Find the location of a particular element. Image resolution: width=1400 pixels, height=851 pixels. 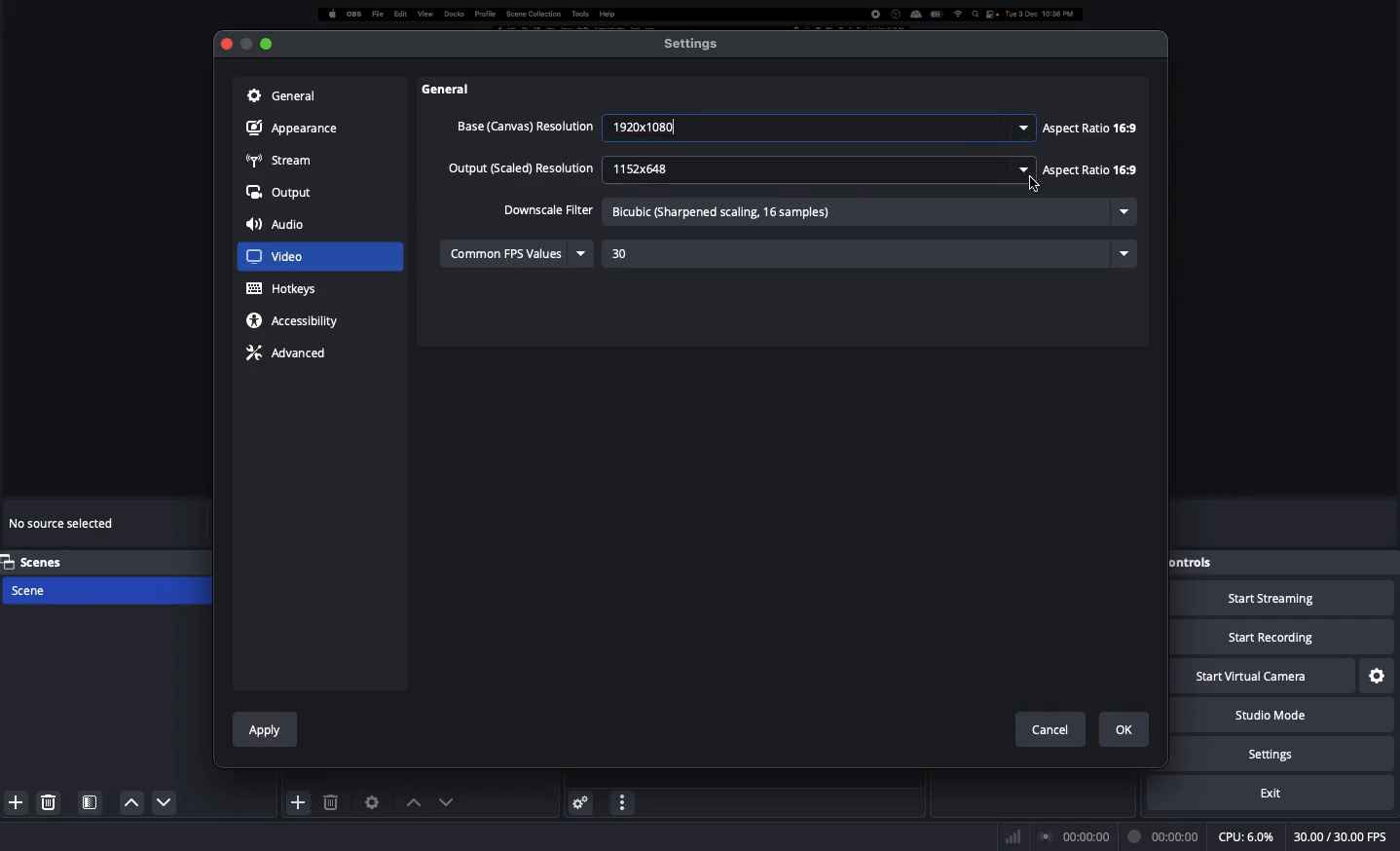

CPU is located at coordinates (1245, 837).